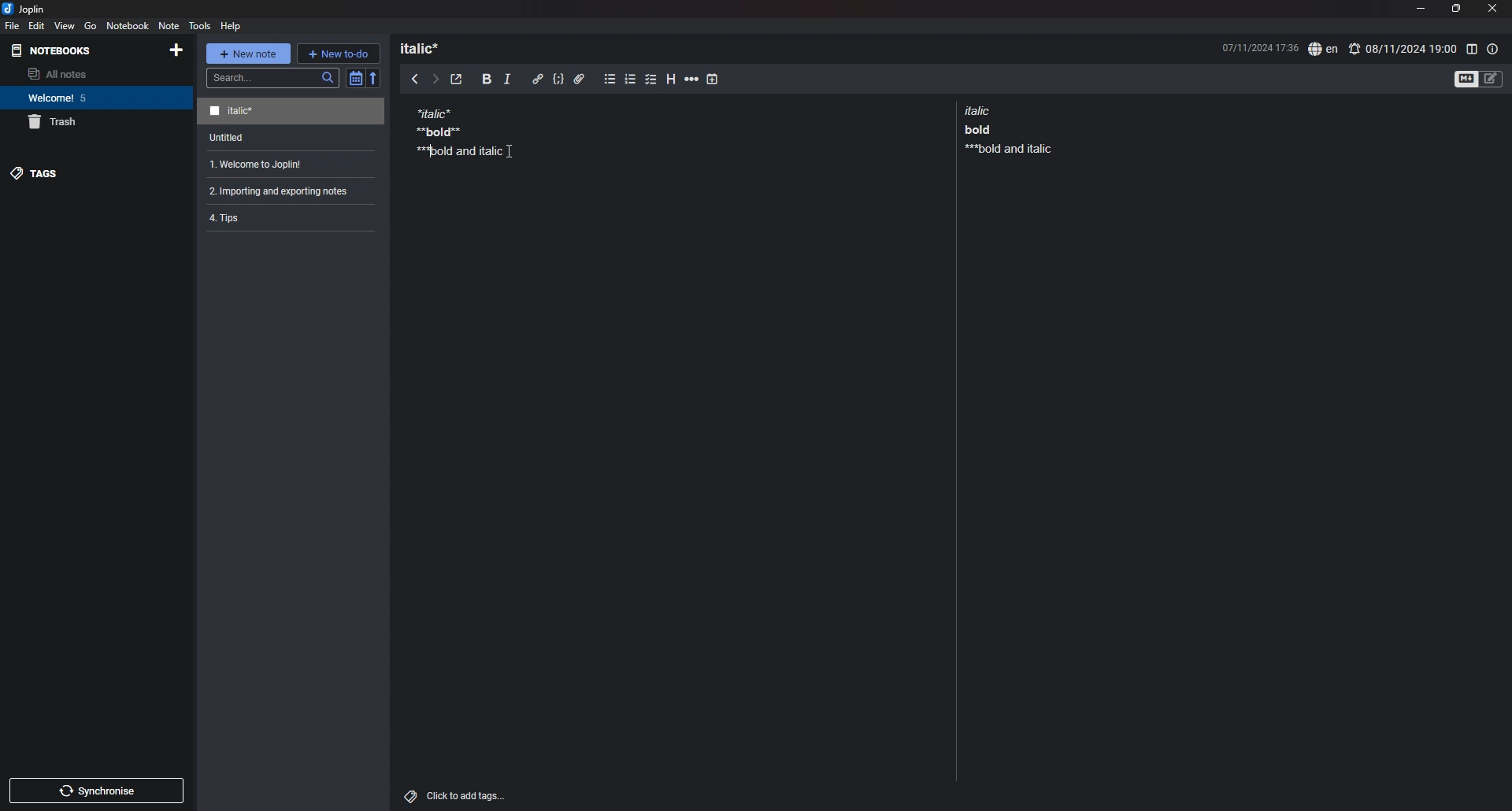 The height and width of the screenshot is (811, 1512). Describe the element at coordinates (355, 78) in the screenshot. I see `toggle sort order` at that location.